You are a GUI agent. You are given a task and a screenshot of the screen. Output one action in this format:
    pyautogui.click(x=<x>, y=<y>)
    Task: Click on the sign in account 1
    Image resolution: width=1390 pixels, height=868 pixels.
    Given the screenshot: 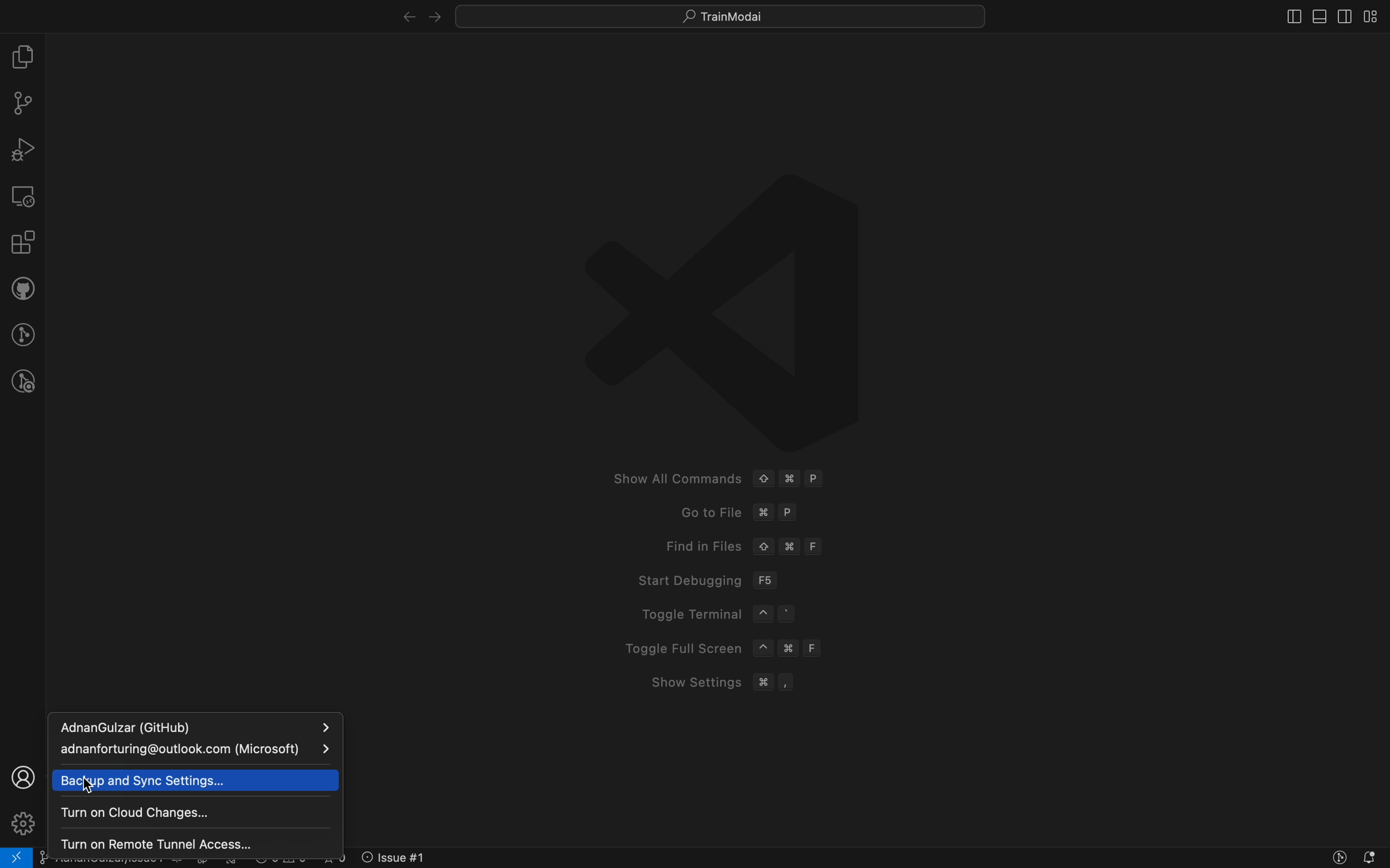 What is the action you would take?
    pyautogui.click(x=198, y=727)
    